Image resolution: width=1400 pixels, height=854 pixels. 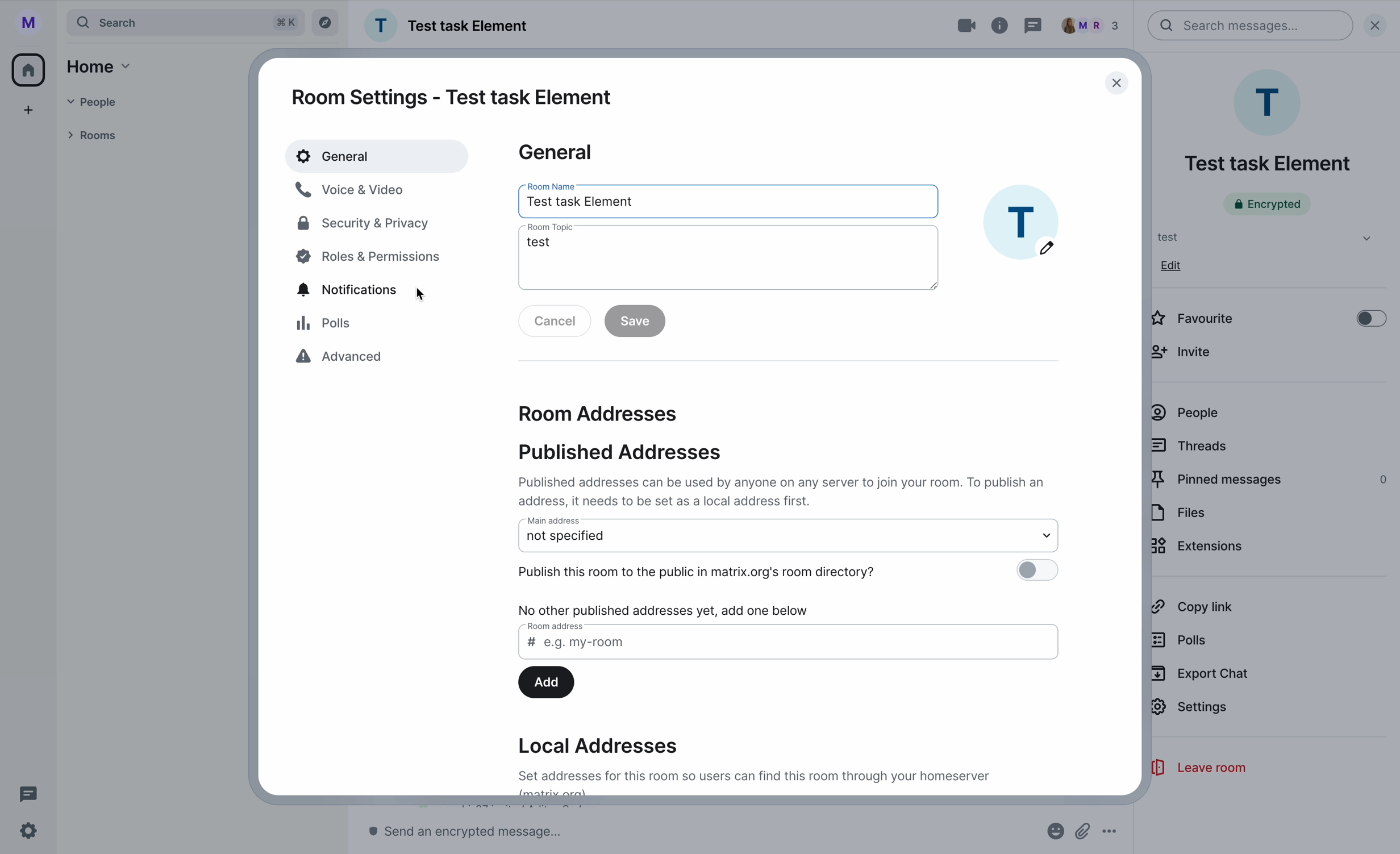 What do you see at coordinates (1034, 25) in the screenshot?
I see `threads` at bounding box center [1034, 25].